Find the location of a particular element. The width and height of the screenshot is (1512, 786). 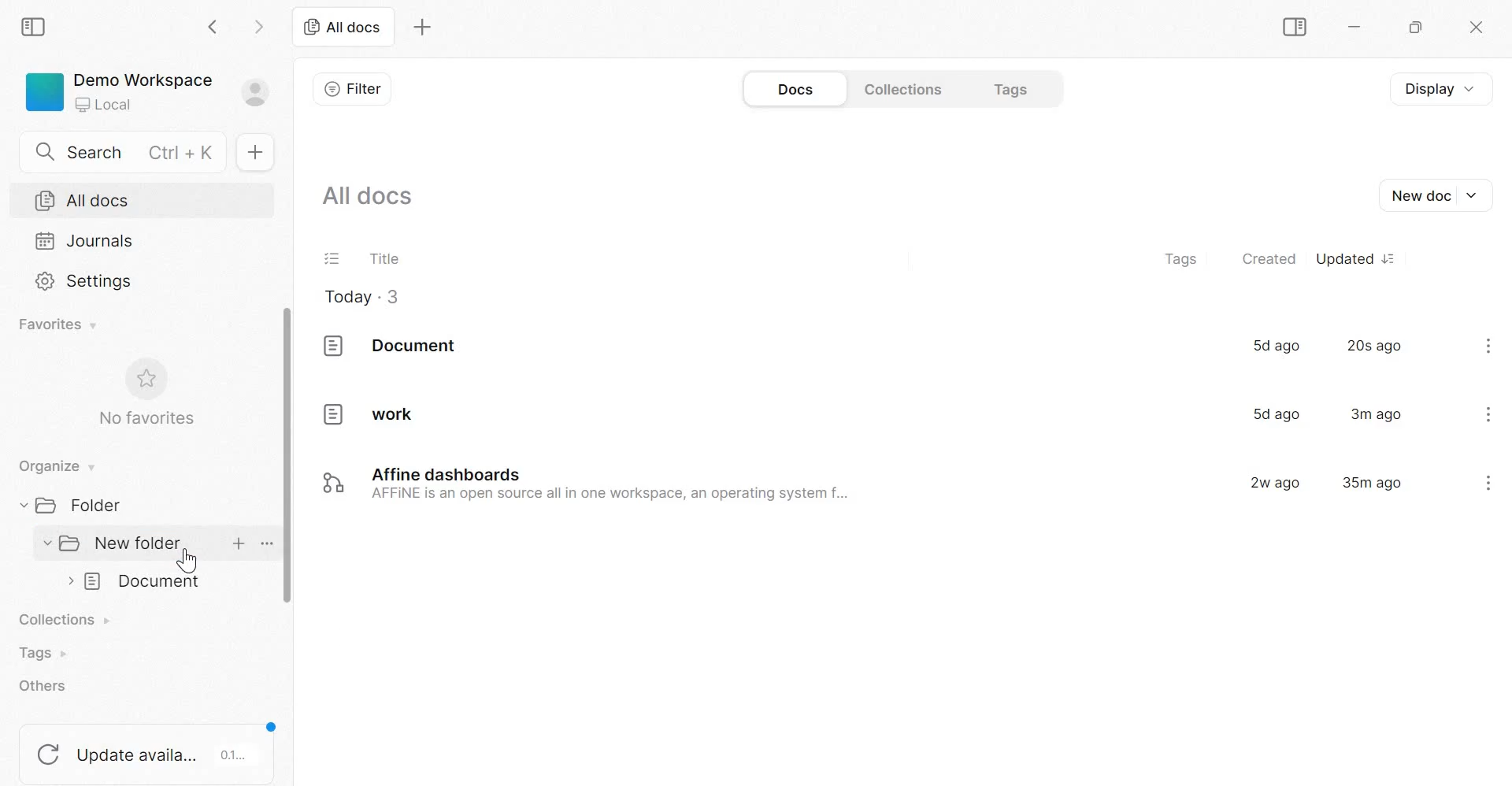

Updated is located at coordinates (1354, 255).